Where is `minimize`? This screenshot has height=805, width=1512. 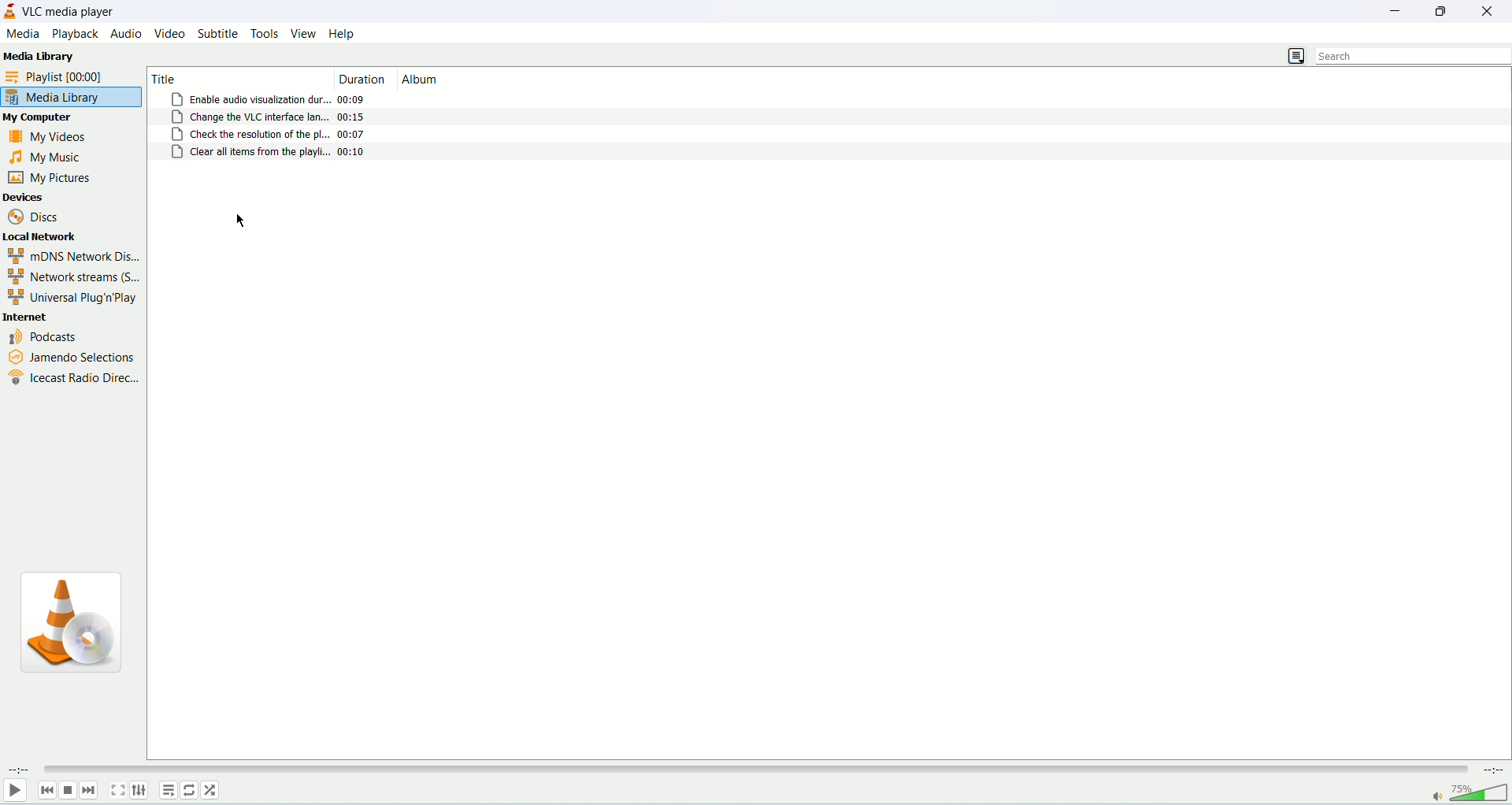 minimize is located at coordinates (1395, 13).